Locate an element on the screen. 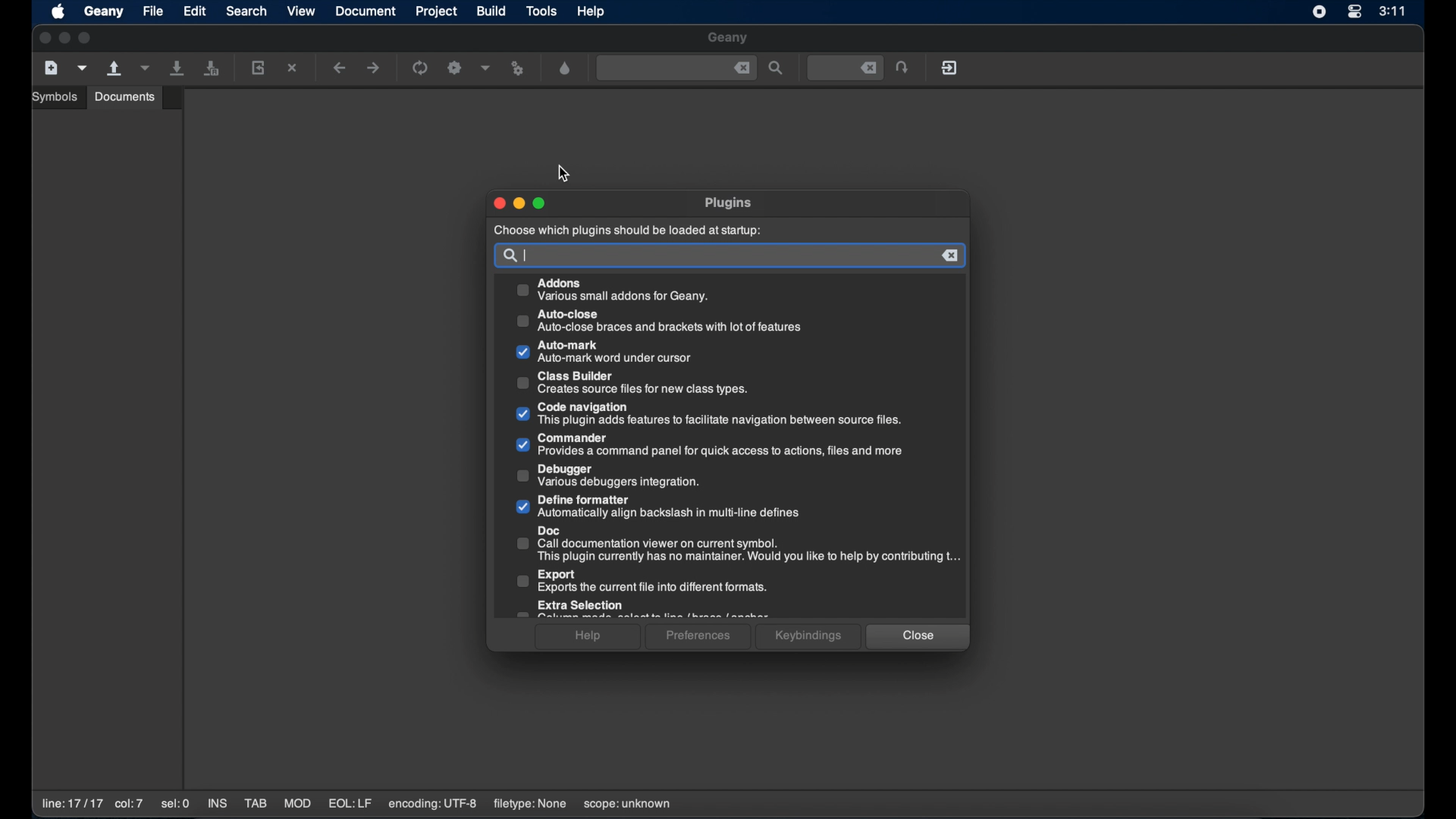 The width and height of the screenshot is (1456, 819). jump to the entered file is located at coordinates (846, 68).